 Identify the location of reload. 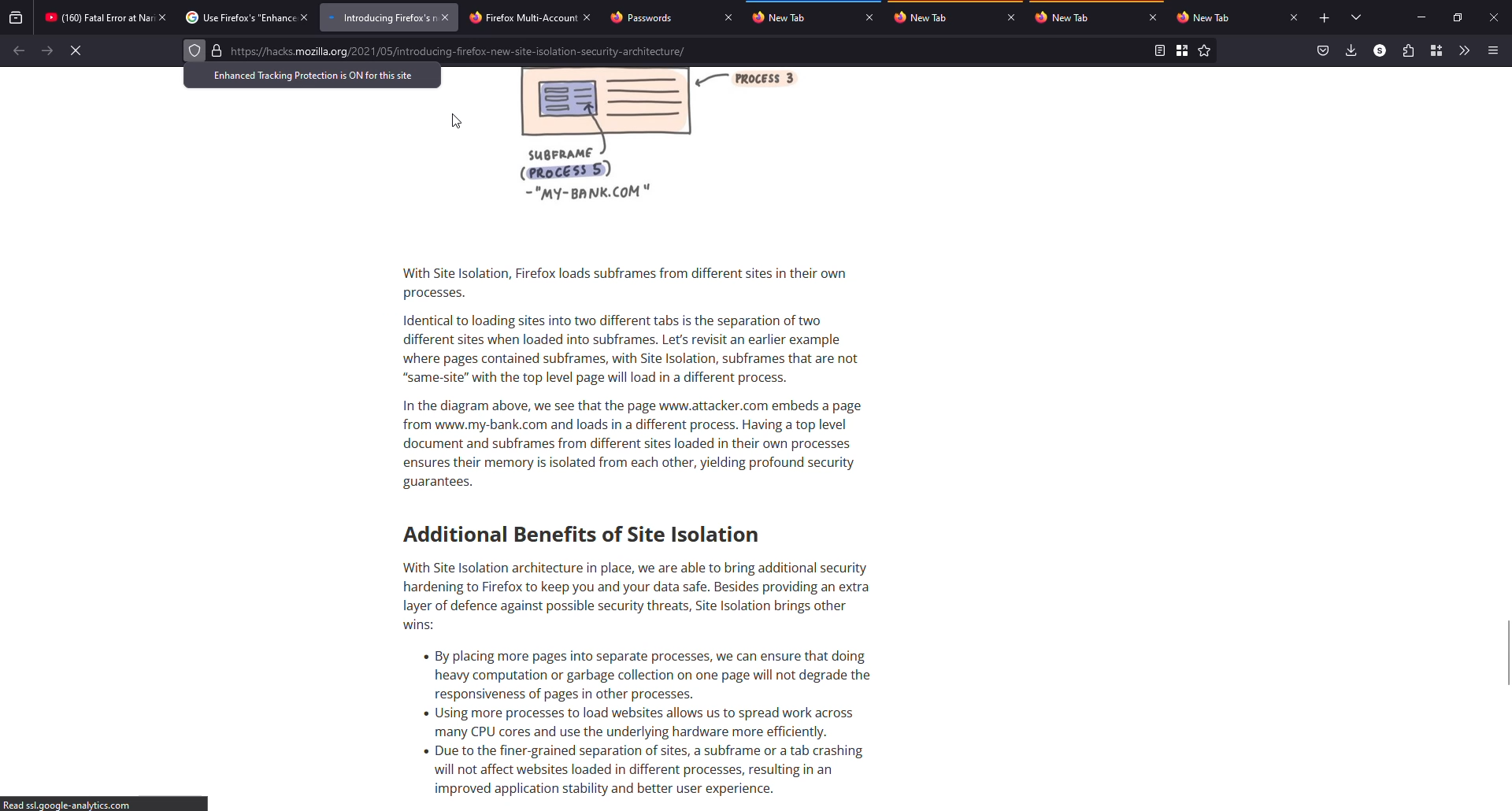
(78, 50).